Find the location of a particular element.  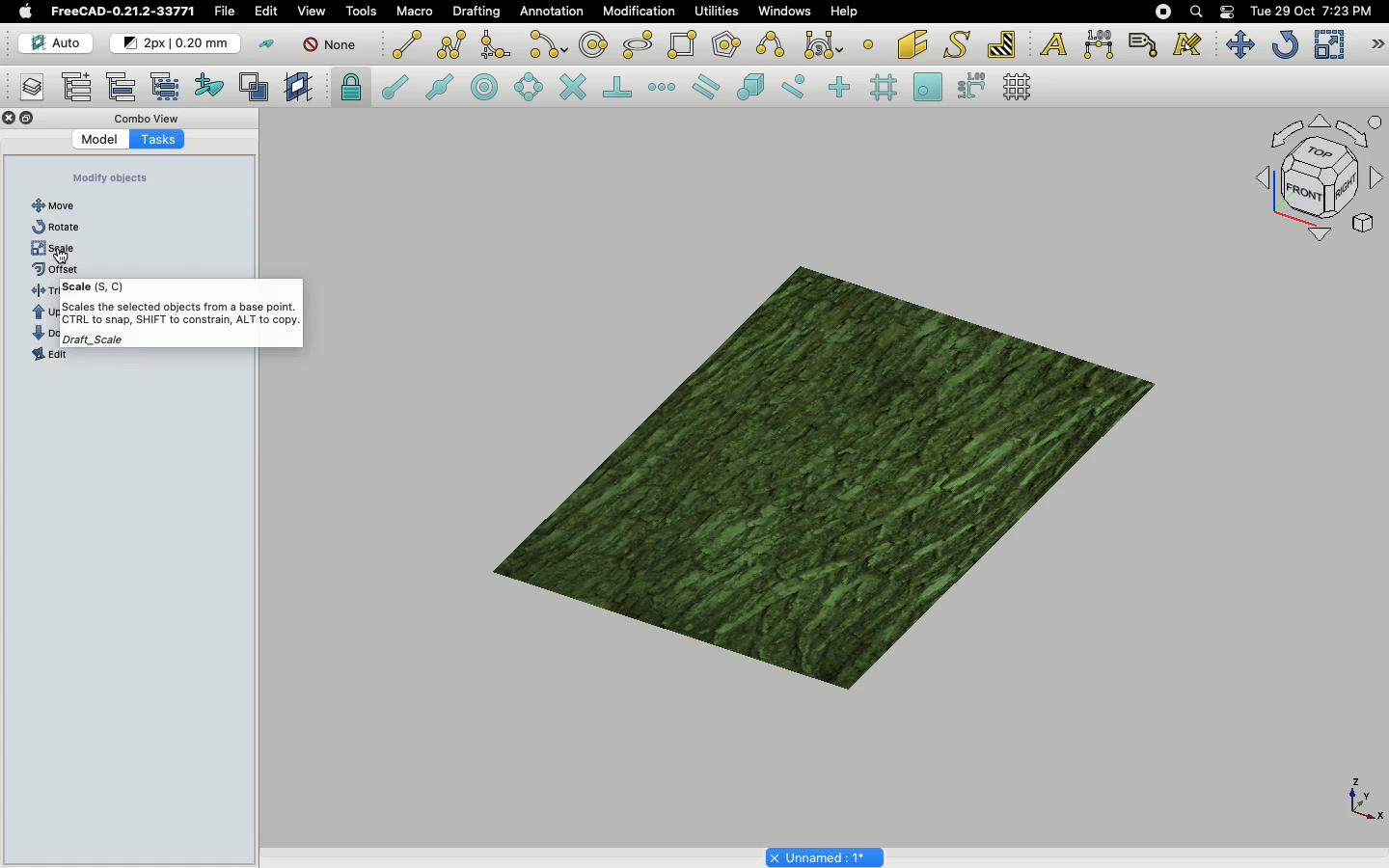

Apple logo is located at coordinates (25, 11).